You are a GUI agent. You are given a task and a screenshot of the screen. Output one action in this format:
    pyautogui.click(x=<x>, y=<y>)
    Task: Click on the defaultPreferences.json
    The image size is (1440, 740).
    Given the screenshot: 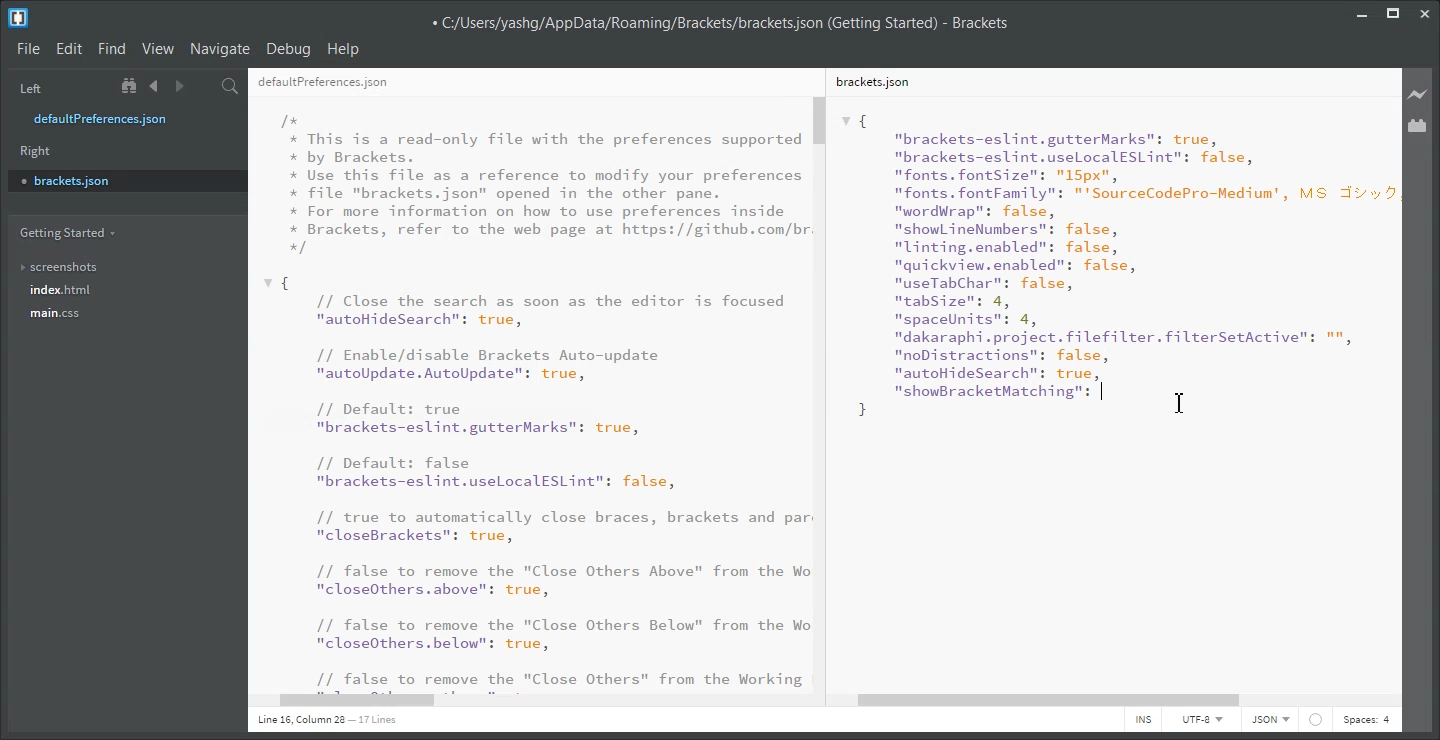 What is the action you would take?
    pyautogui.click(x=323, y=83)
    